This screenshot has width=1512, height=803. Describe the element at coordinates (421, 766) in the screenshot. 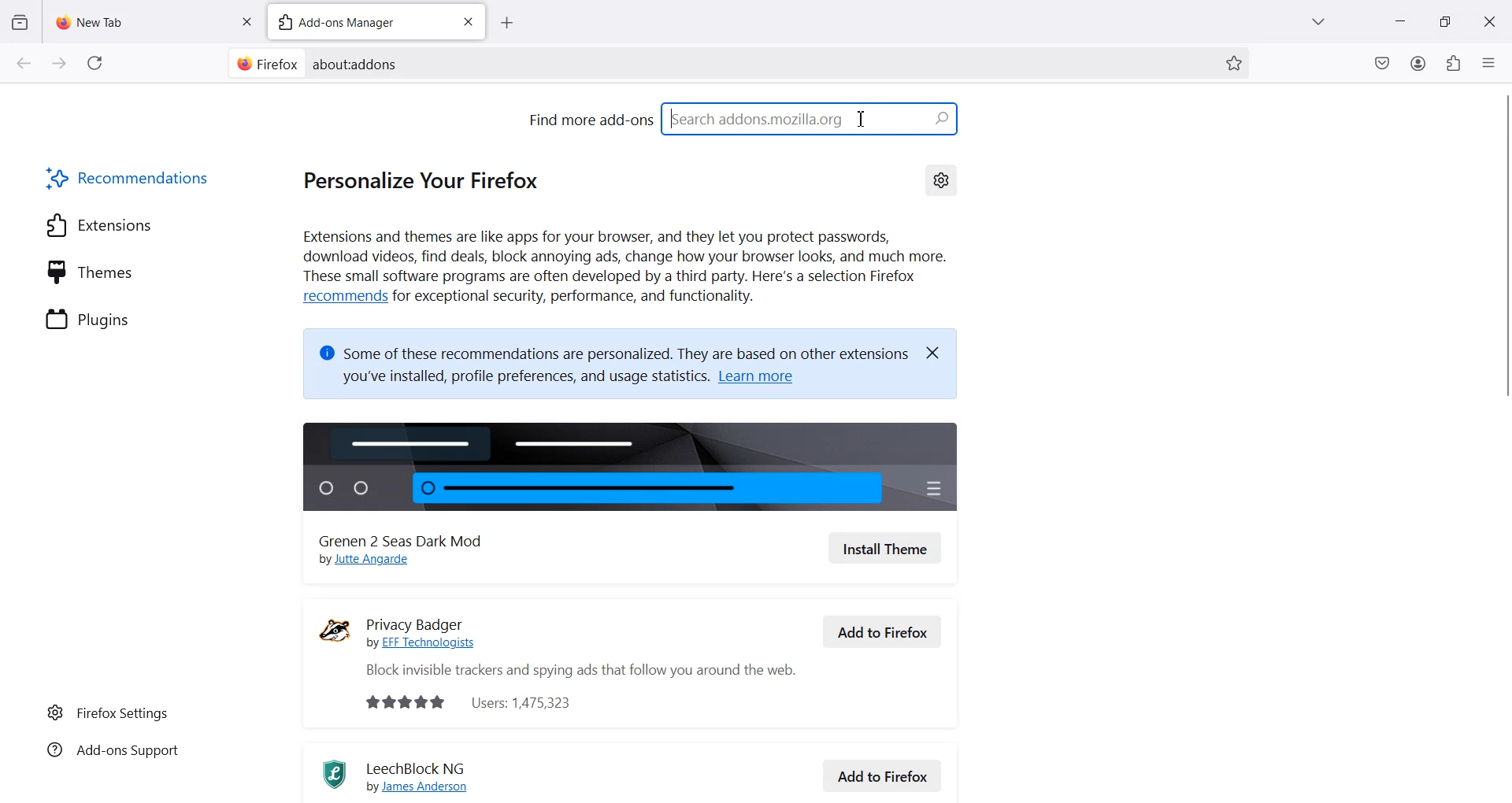

I see `LeechBlock NG` at that location.